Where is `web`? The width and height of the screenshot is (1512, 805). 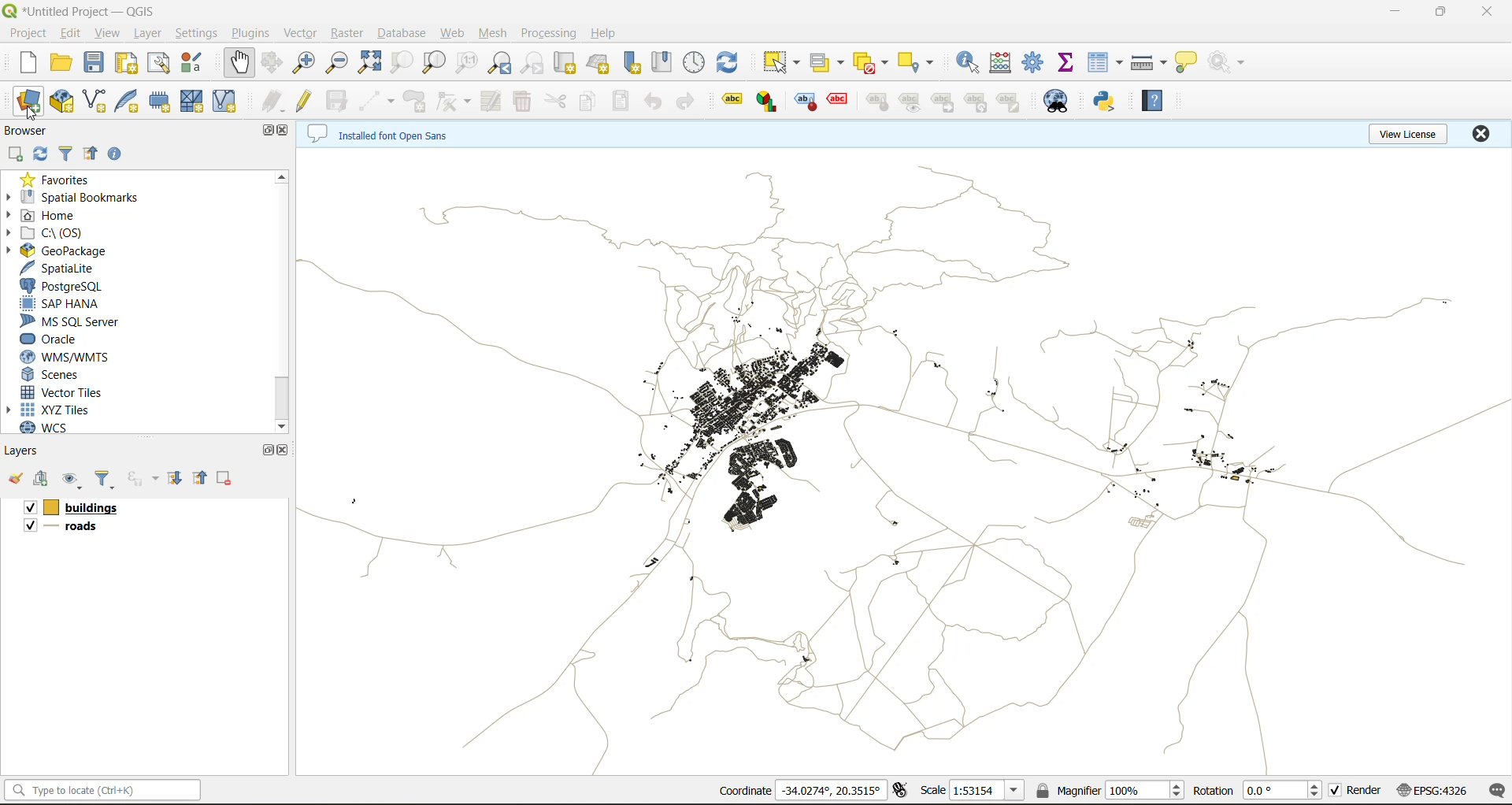 web is located at coordinates (453, 33).